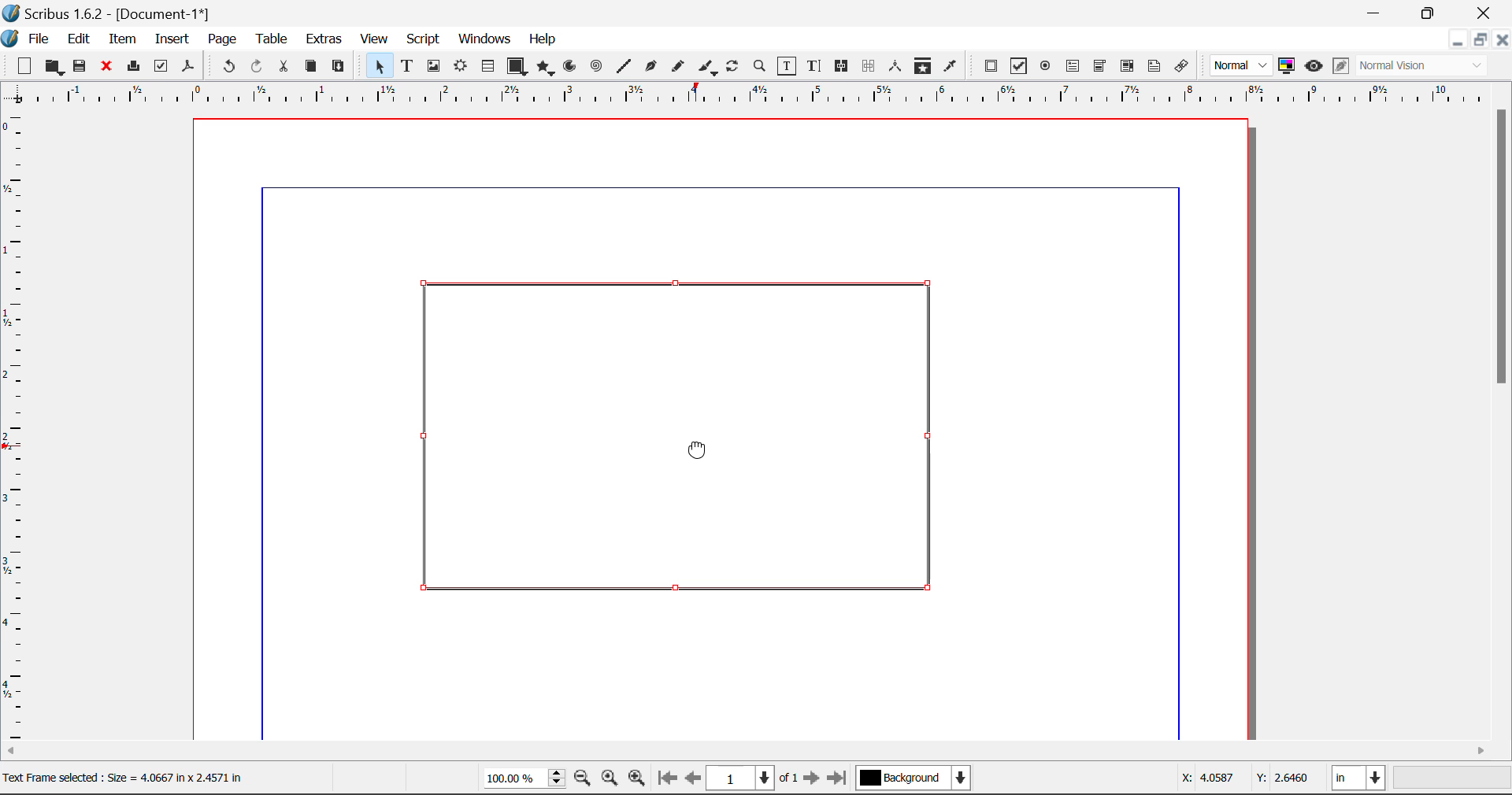 The width and height of the screenshot is (1512, 795). I want to click on Image Frame, so click(433, 66).